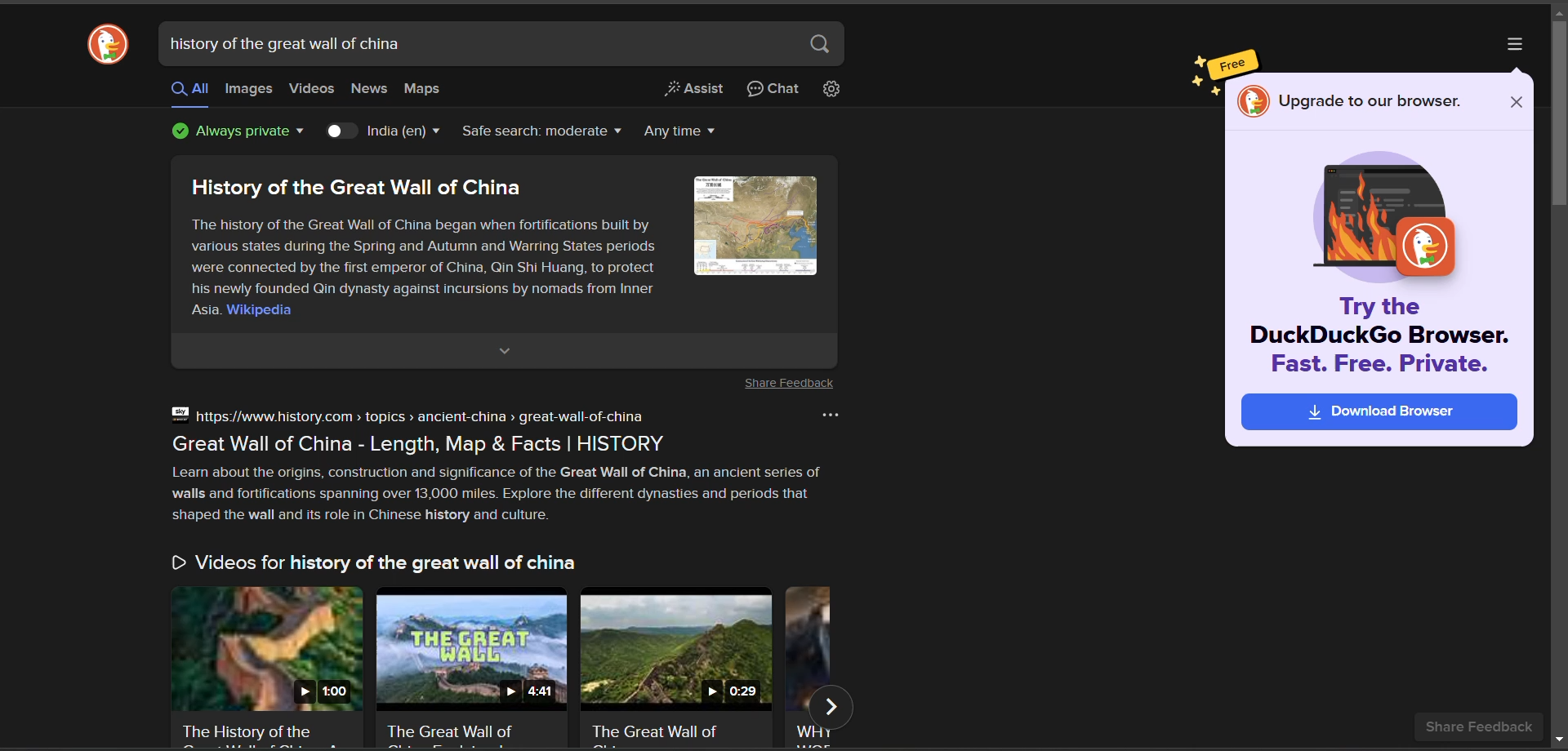 The height and width of the screenshot is (751, 1568). I want to click on upgrade to our browser, so click(1371, 104).